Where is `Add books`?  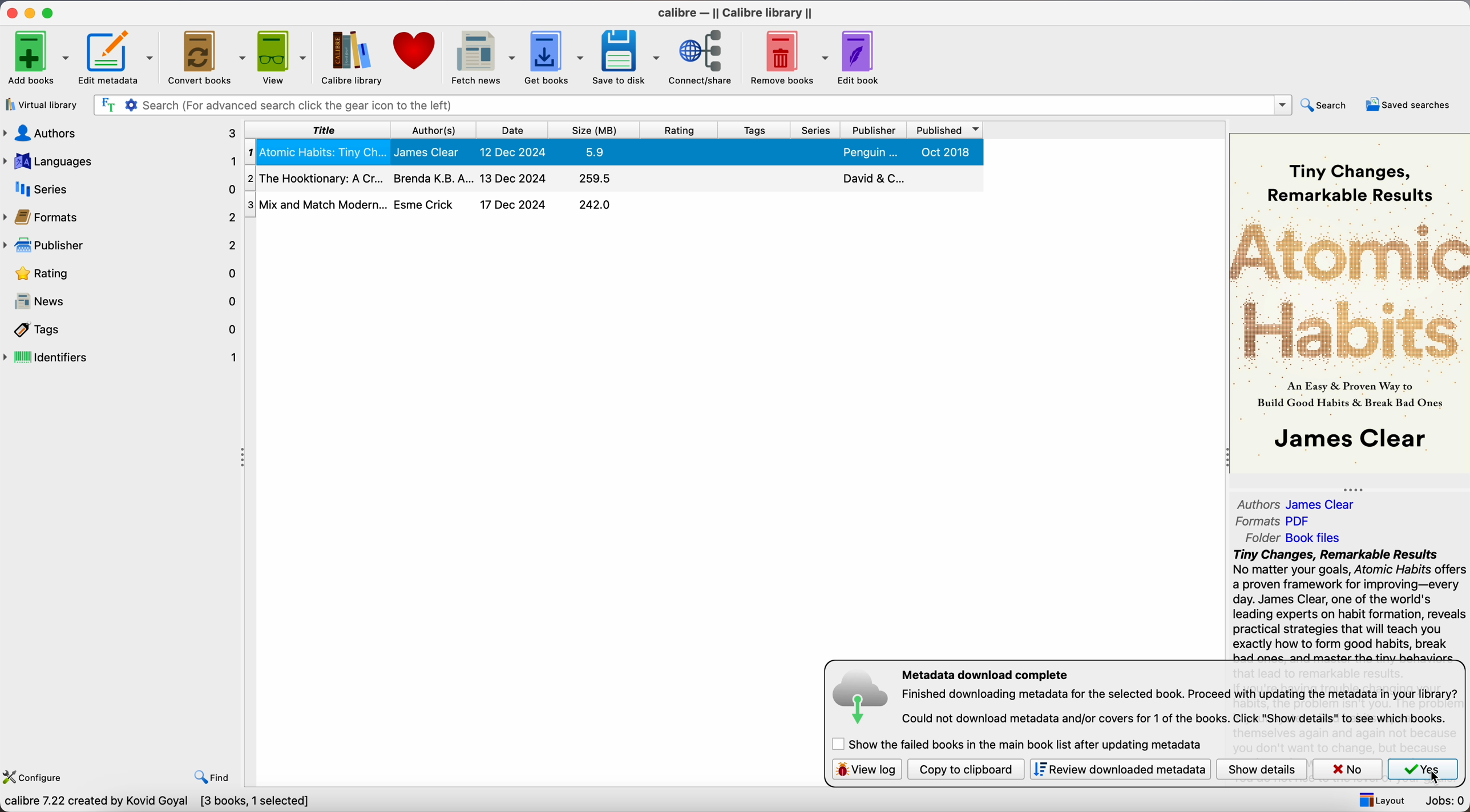
Add books is located at coordinates (37, 58).